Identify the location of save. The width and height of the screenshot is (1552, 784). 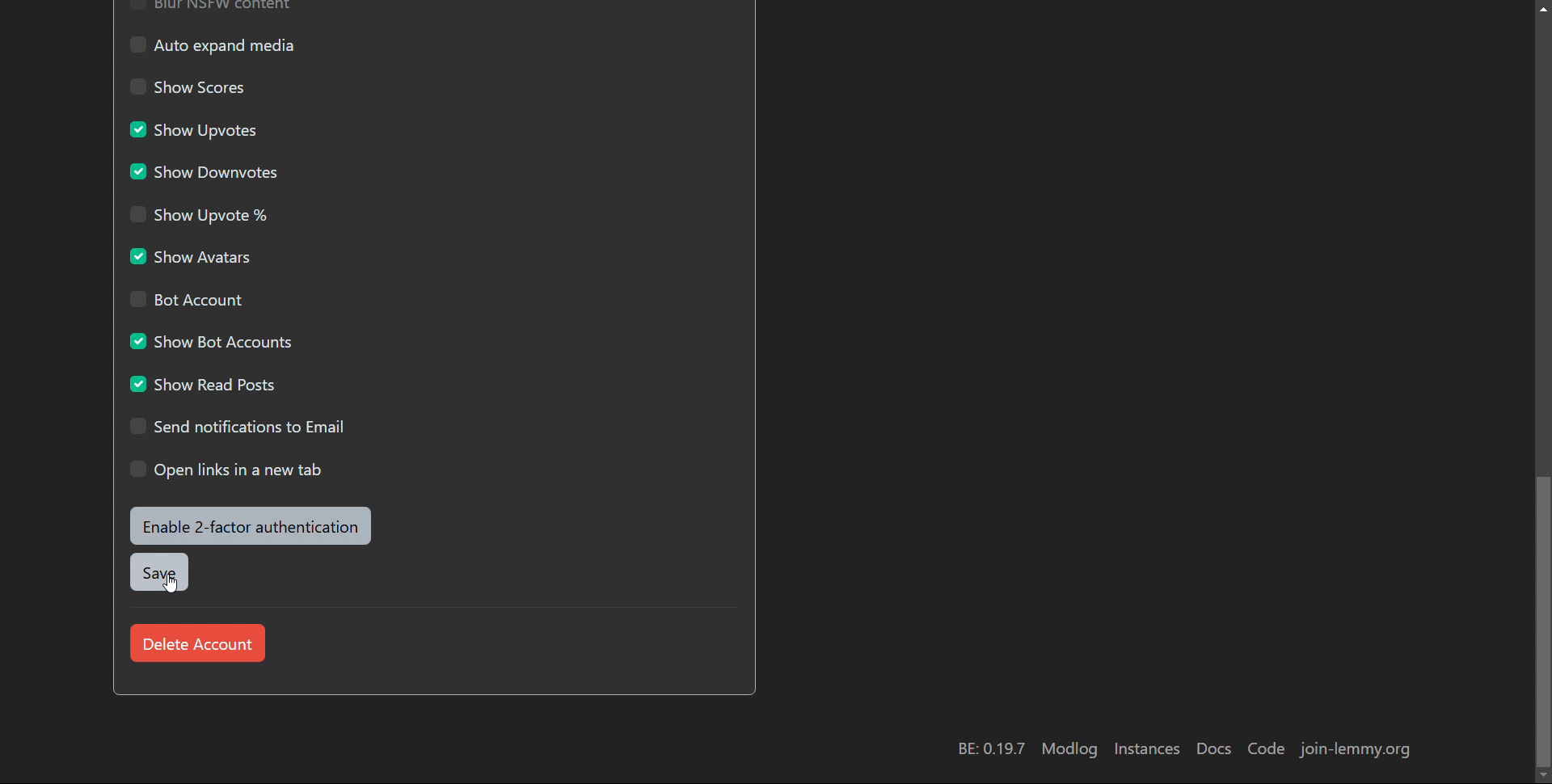
(158, 571).